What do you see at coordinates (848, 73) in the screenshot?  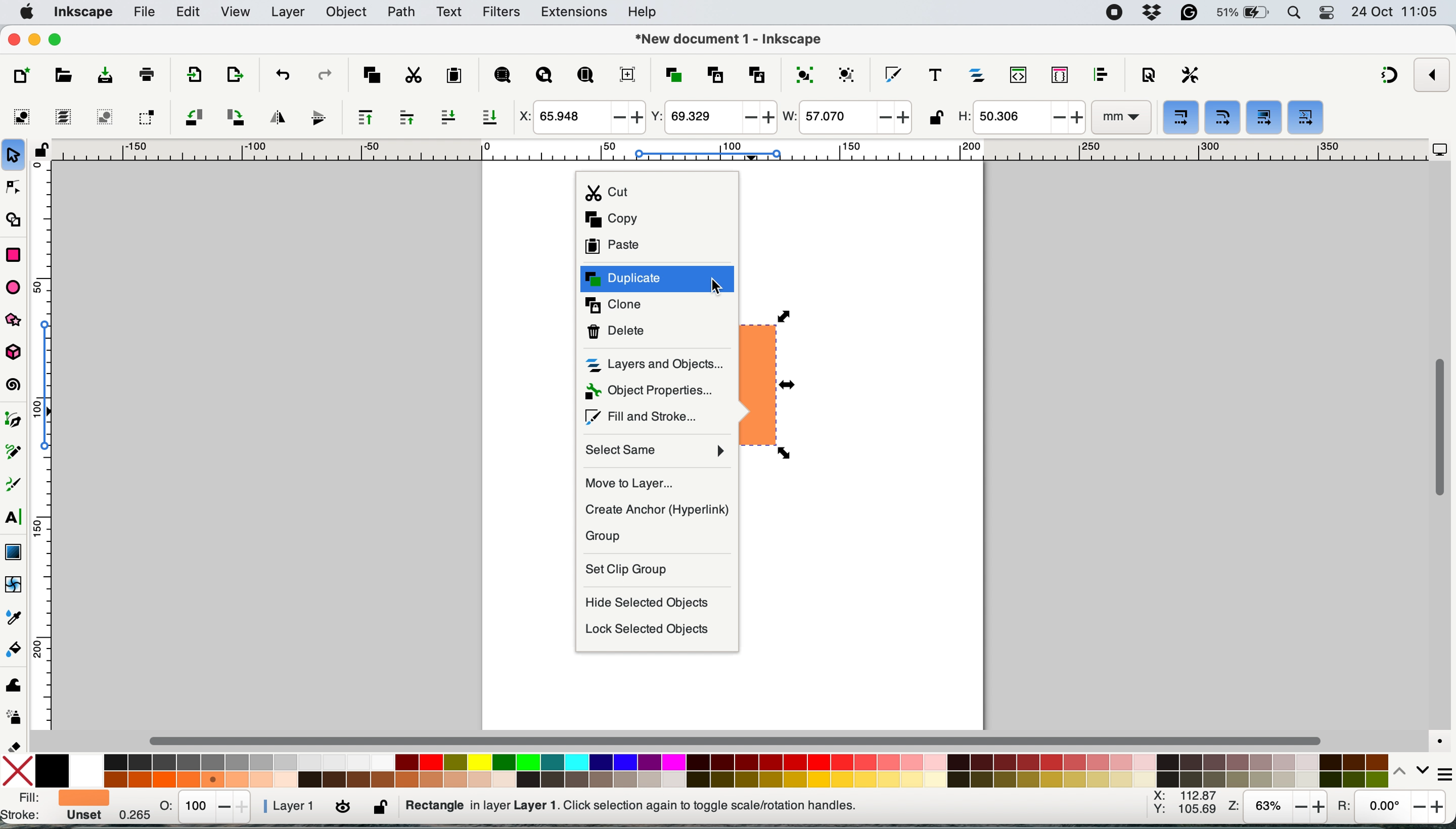 I see `ungroup` at bounding box center [848, 73].